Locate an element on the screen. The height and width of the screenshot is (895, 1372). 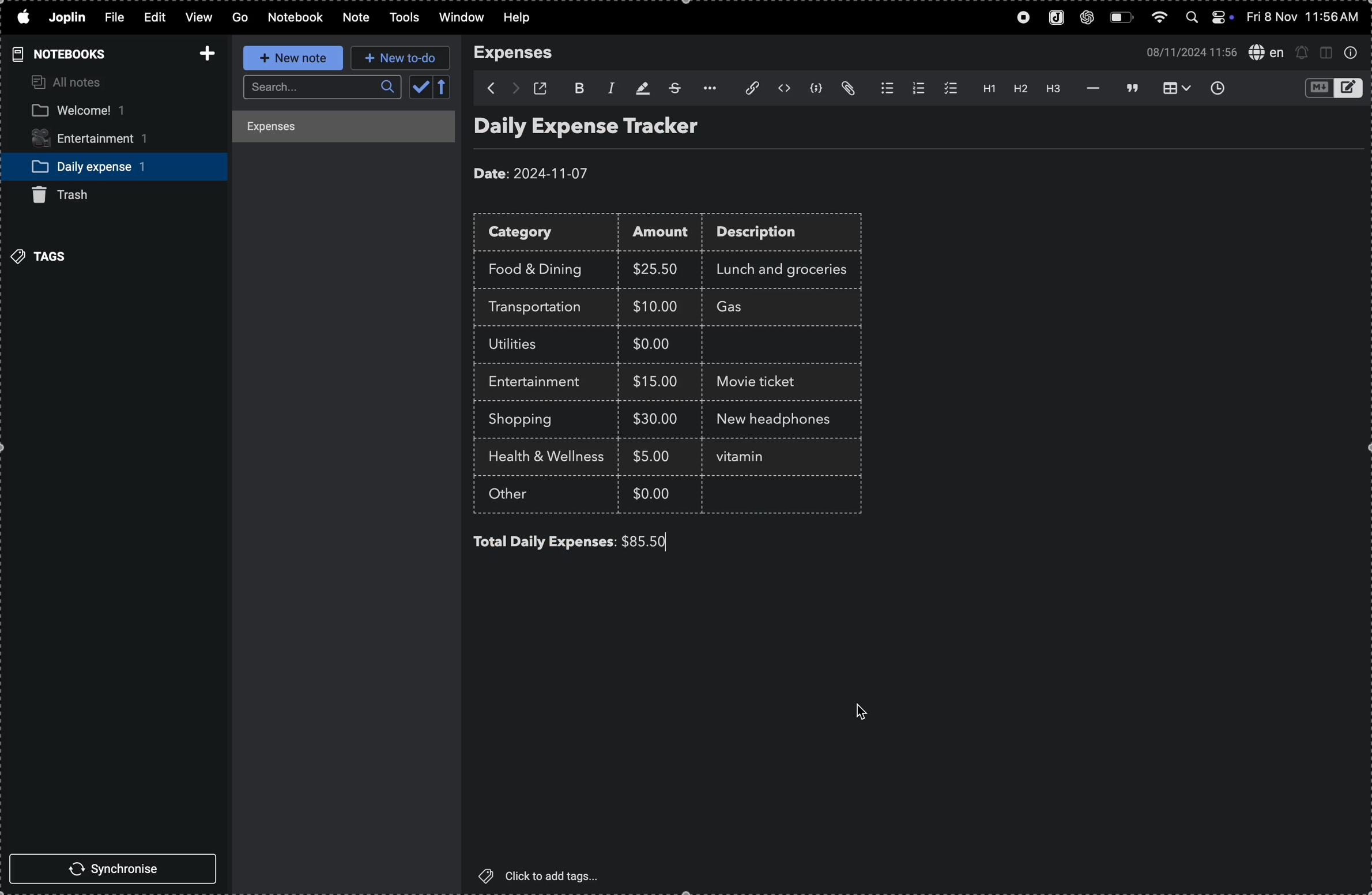
notebooks is located at coordinates (56, 54).